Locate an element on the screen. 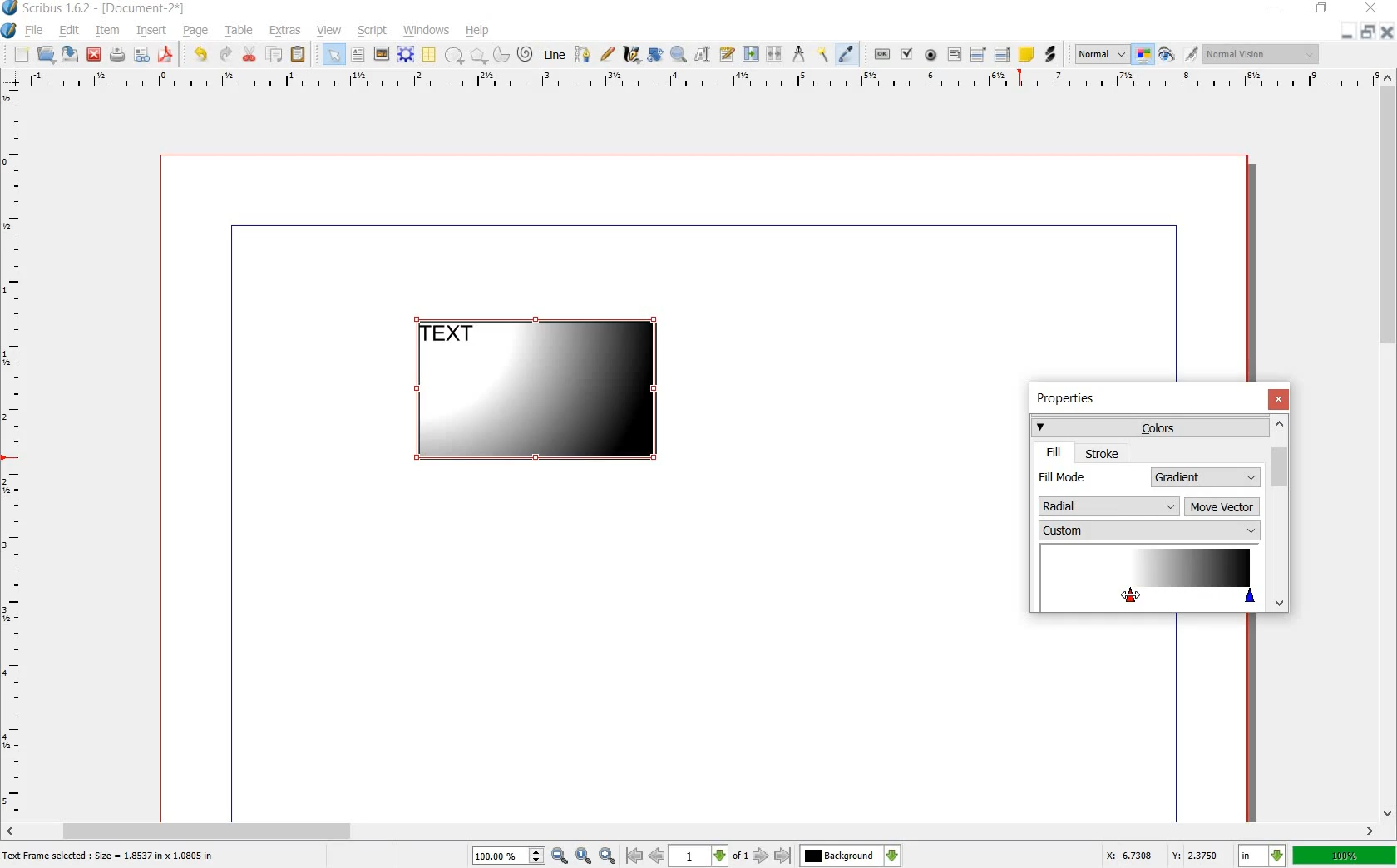 This screenshot has width=1397, height=868. table is located at coordinates (430, 55).